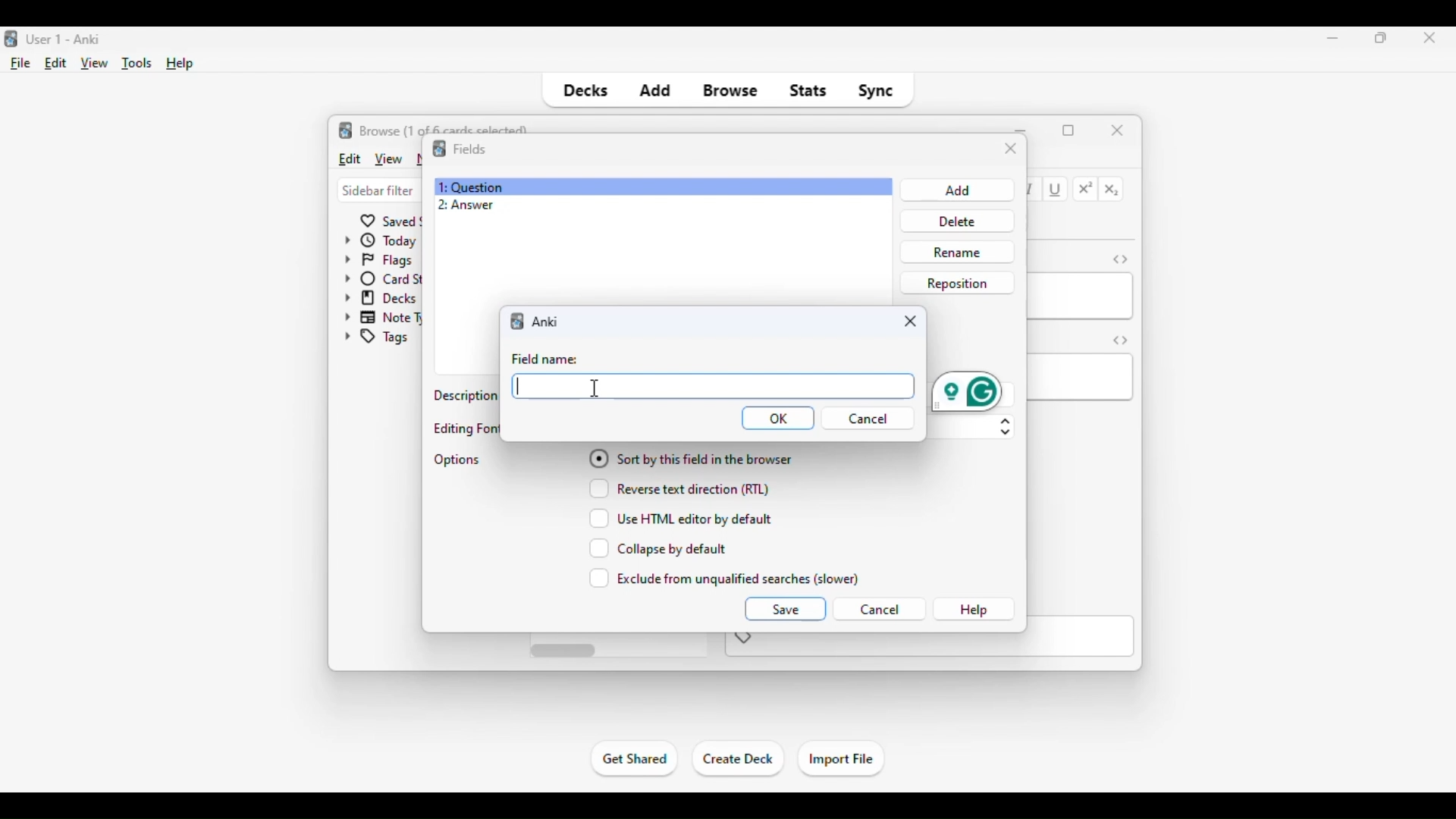 The height and width of the screenshot is (819, 1456). I want to click on stats, so click(808, 91).